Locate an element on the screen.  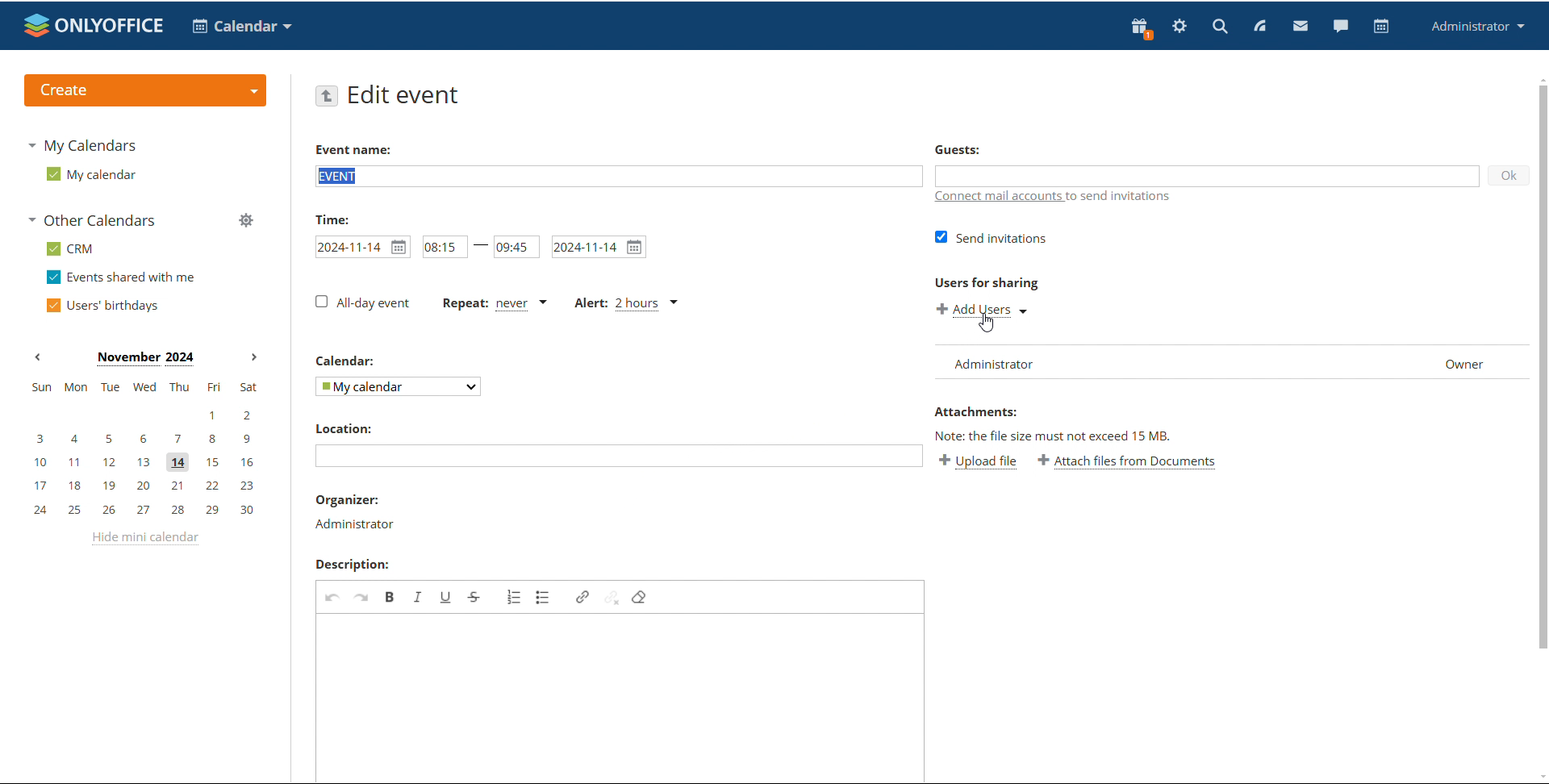
Calendar is located at coordinates (347, 360).